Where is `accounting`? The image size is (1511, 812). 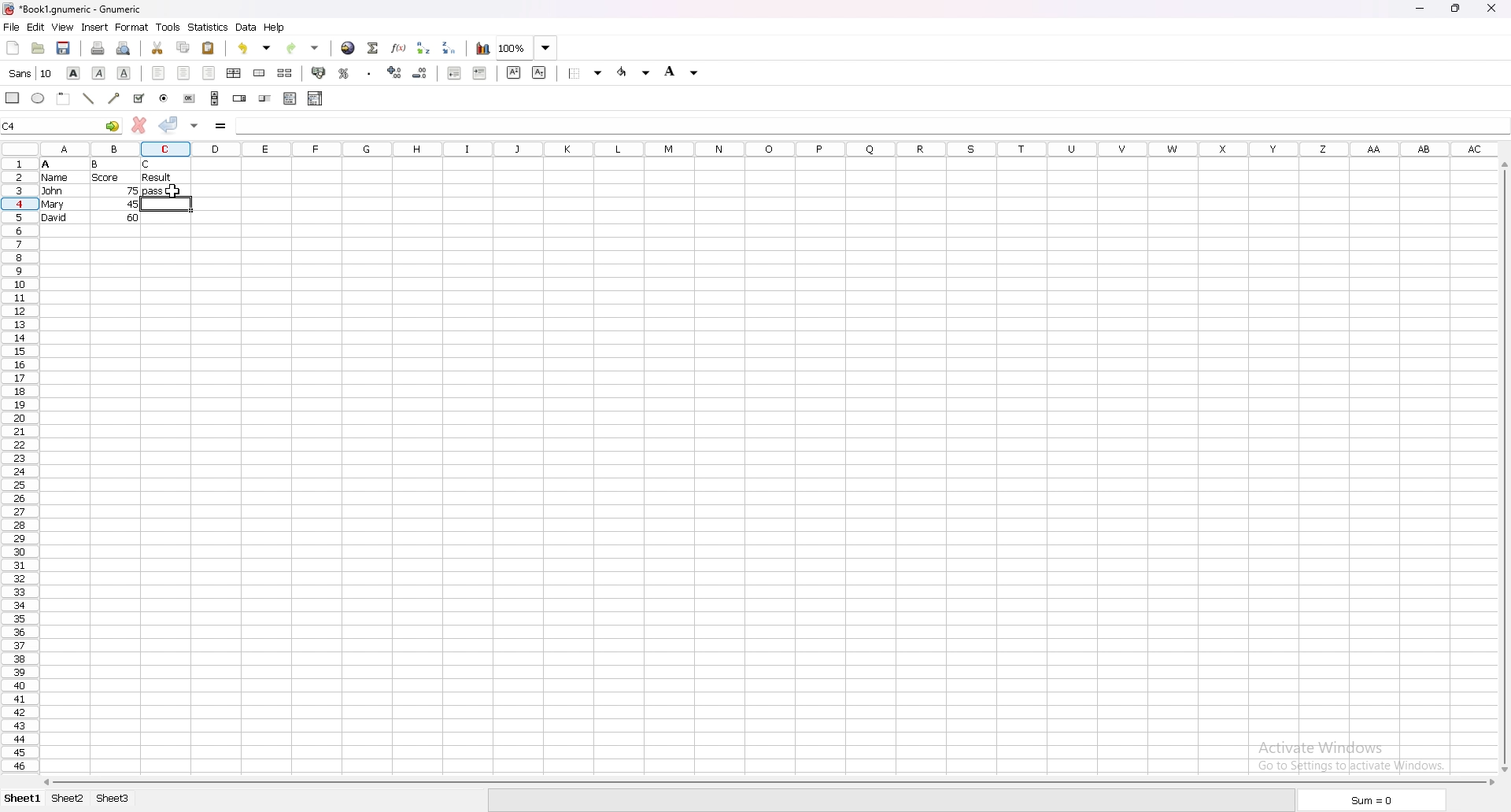 accounting is located at coordinates (319, 73).